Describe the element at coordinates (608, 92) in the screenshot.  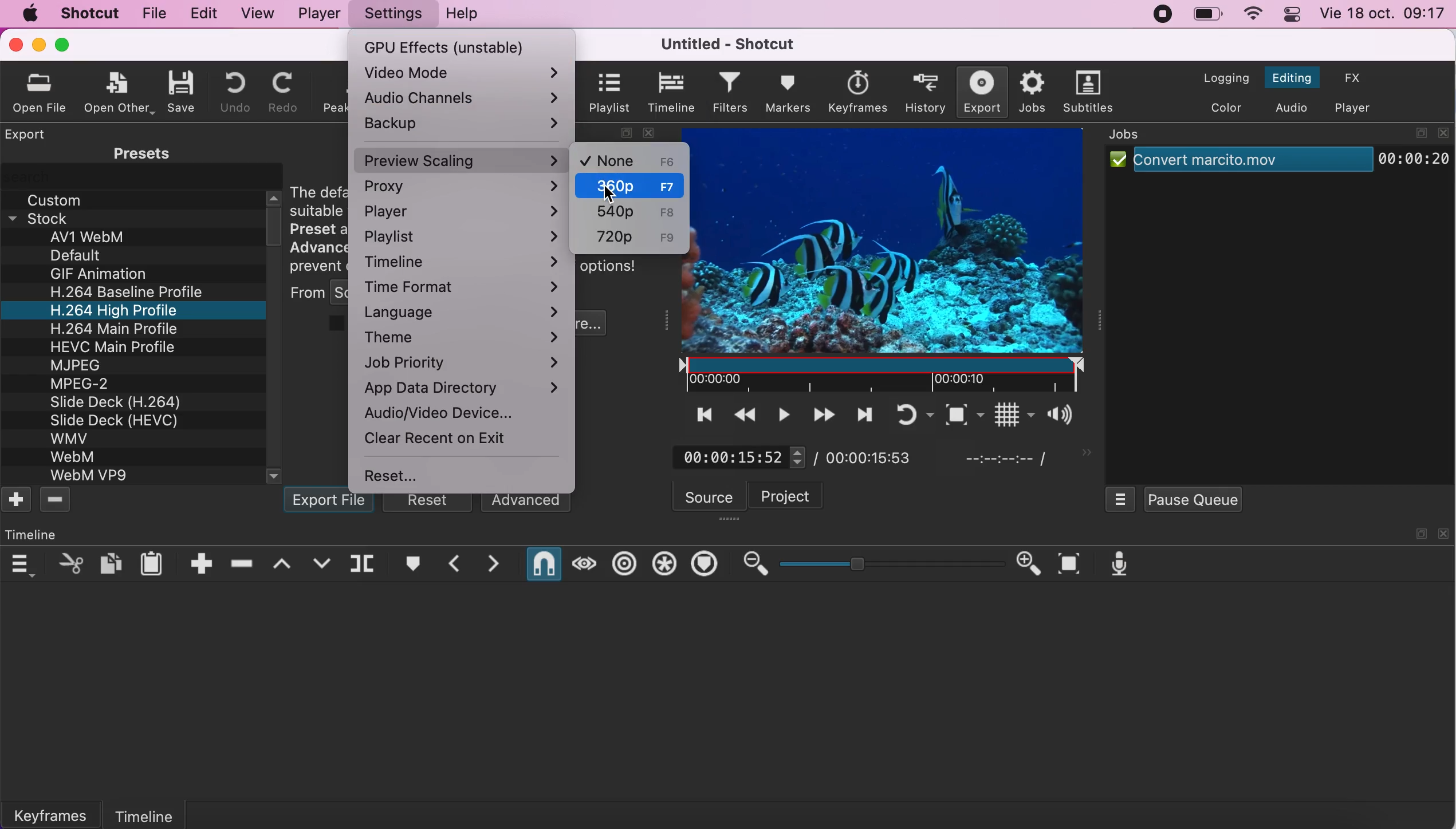
I see `playlist` at that location.